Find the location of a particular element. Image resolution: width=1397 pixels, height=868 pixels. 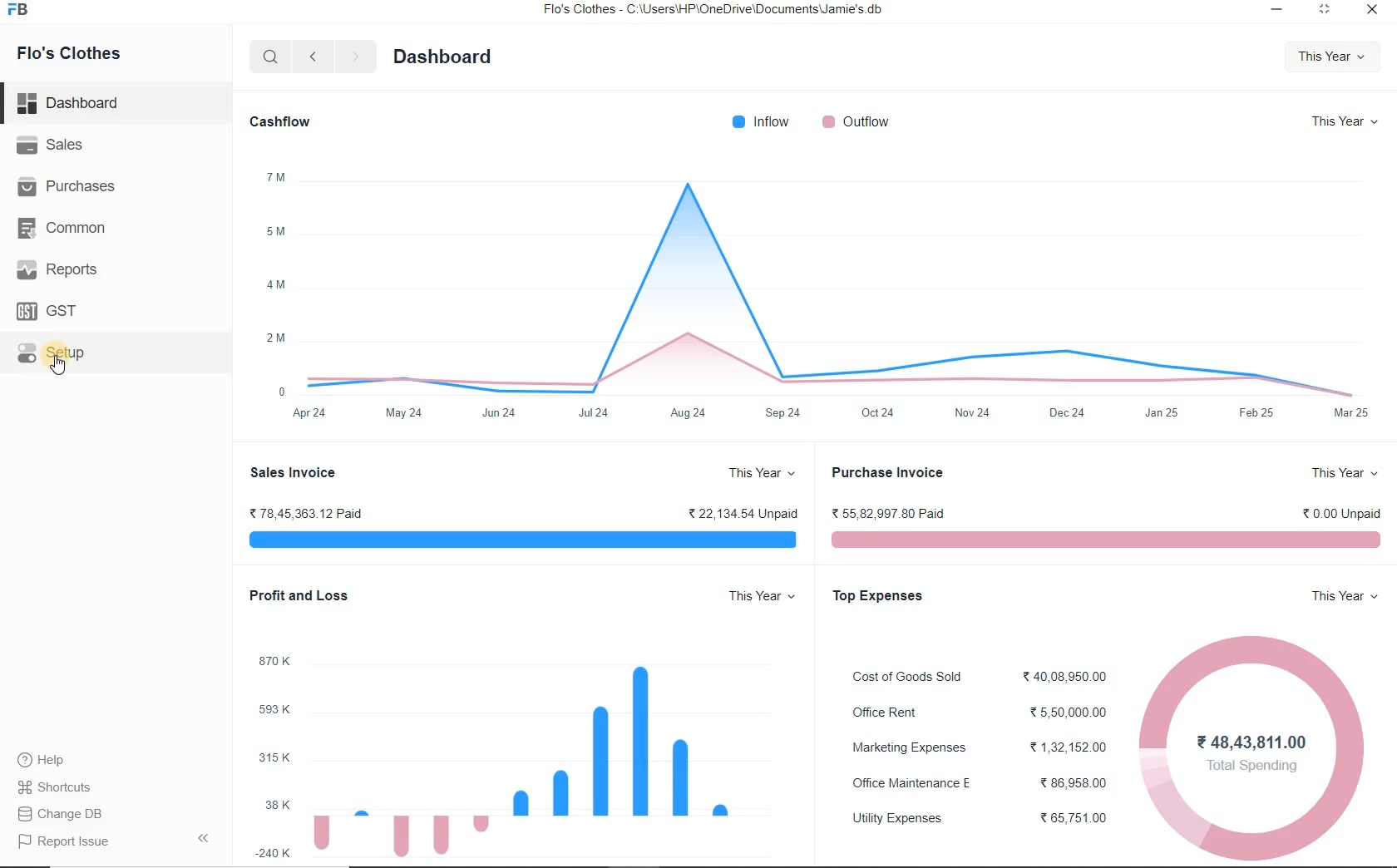

Setup is located at coordinates (52, 353).